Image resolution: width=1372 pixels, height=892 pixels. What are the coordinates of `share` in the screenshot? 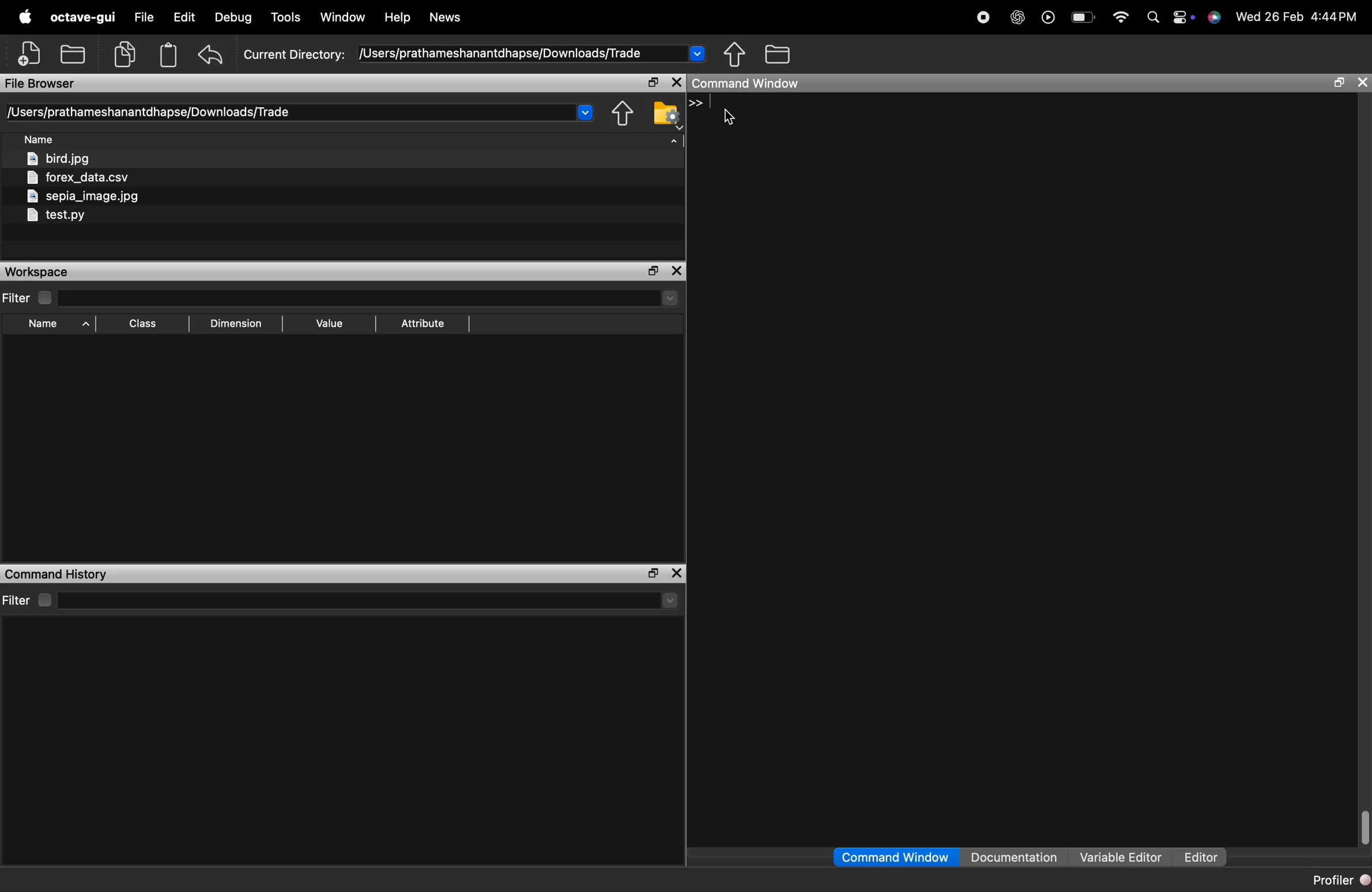 It's located at (623, 114).